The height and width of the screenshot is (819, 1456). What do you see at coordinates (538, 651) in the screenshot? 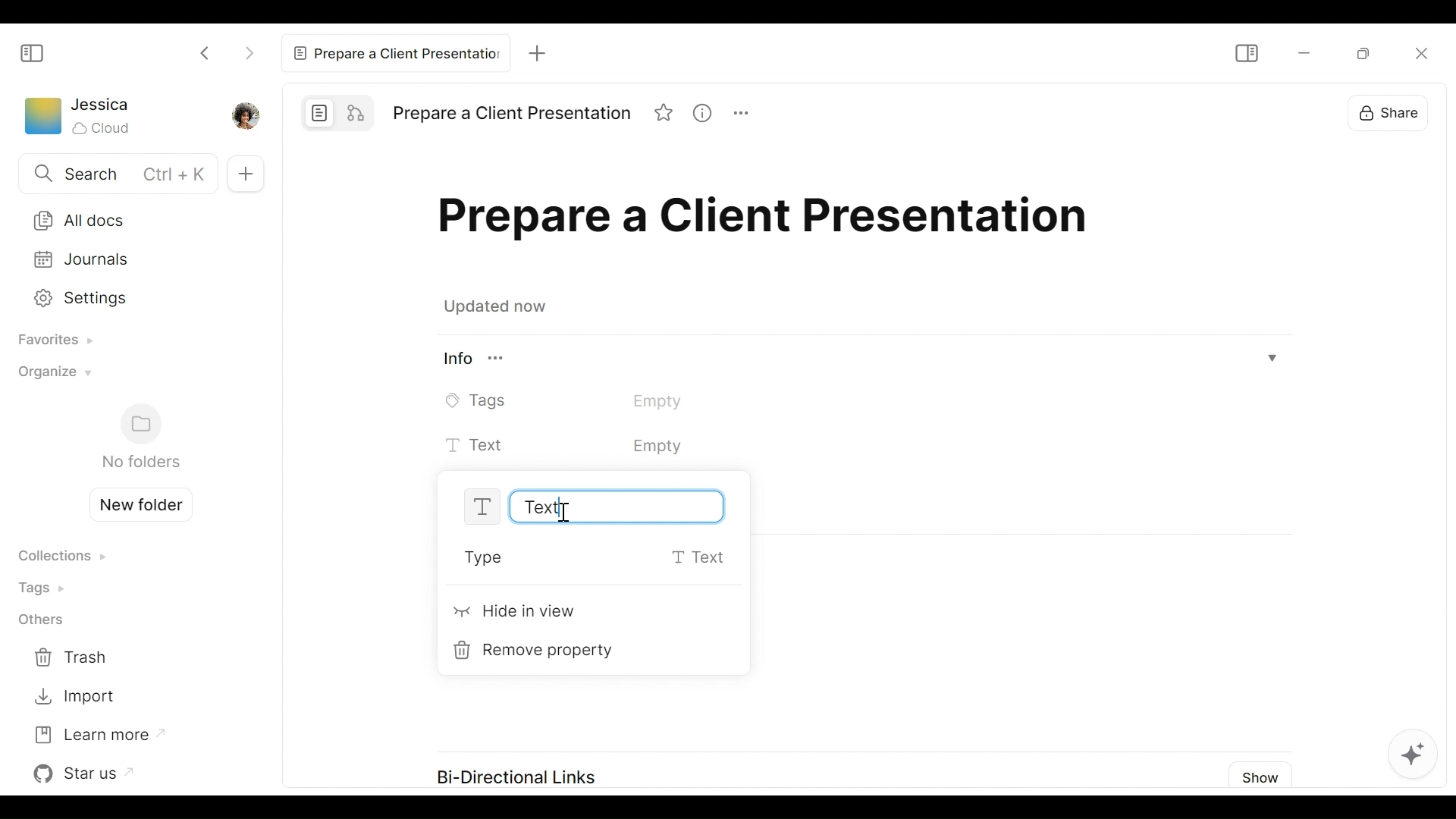
I see `Remove property` at bounding box center [538, 651].